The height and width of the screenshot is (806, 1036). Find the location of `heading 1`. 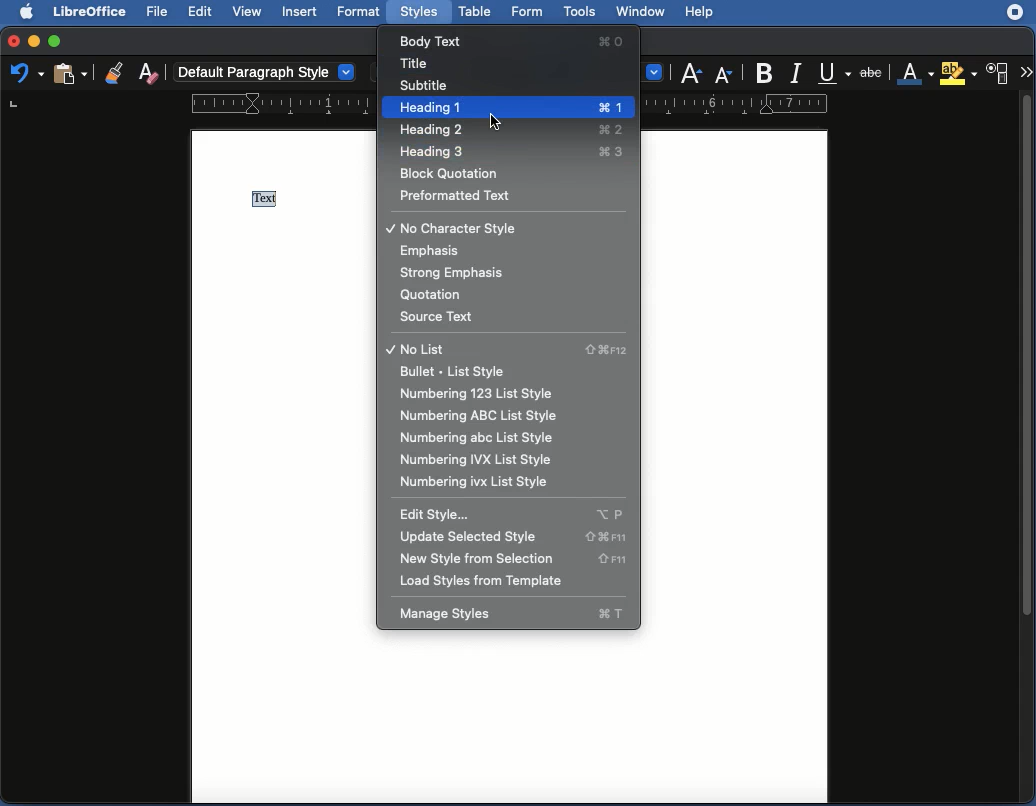

heading 1 is located at coordinates (505, 107).